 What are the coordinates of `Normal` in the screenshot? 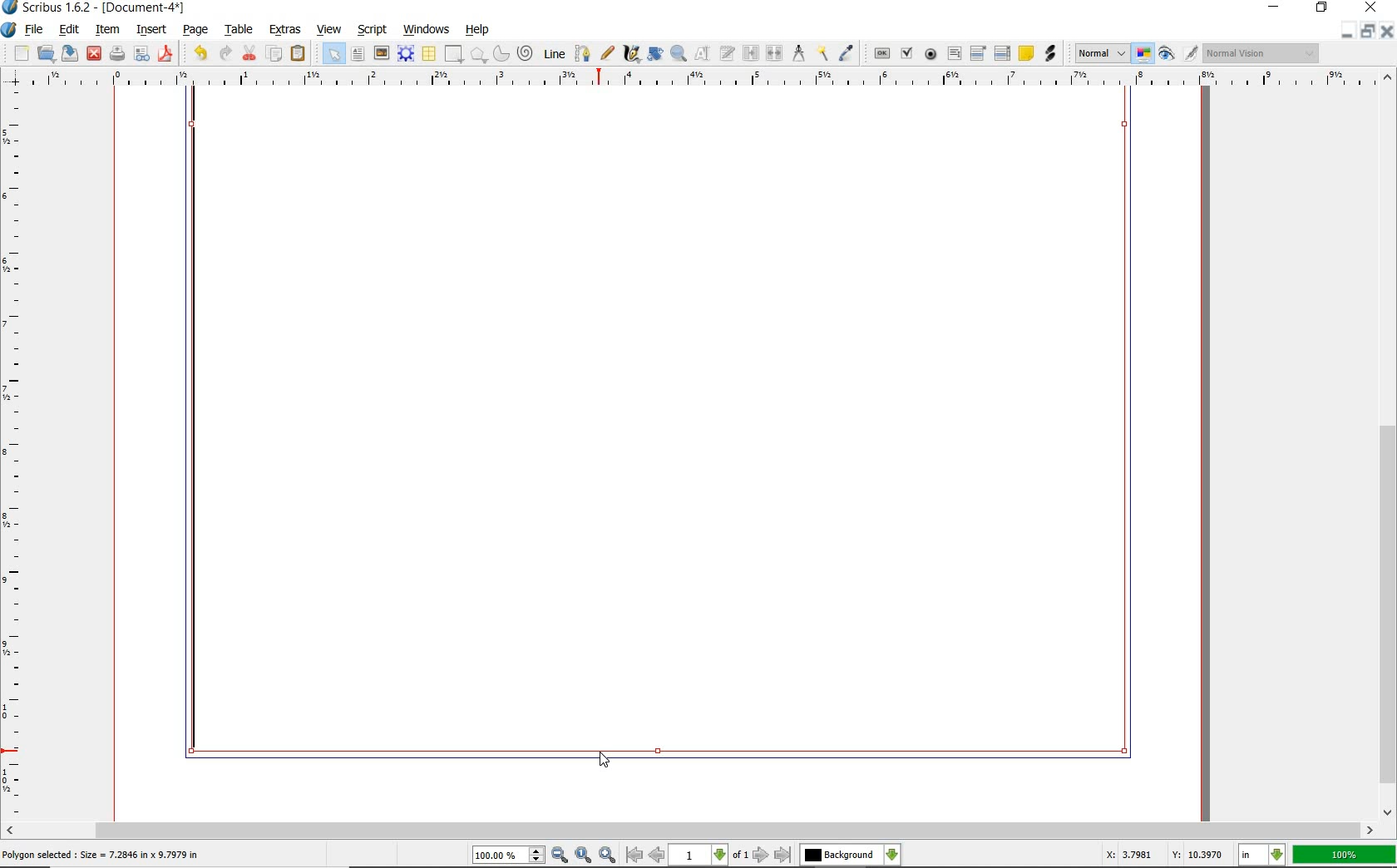 It's located at (1101, 53).